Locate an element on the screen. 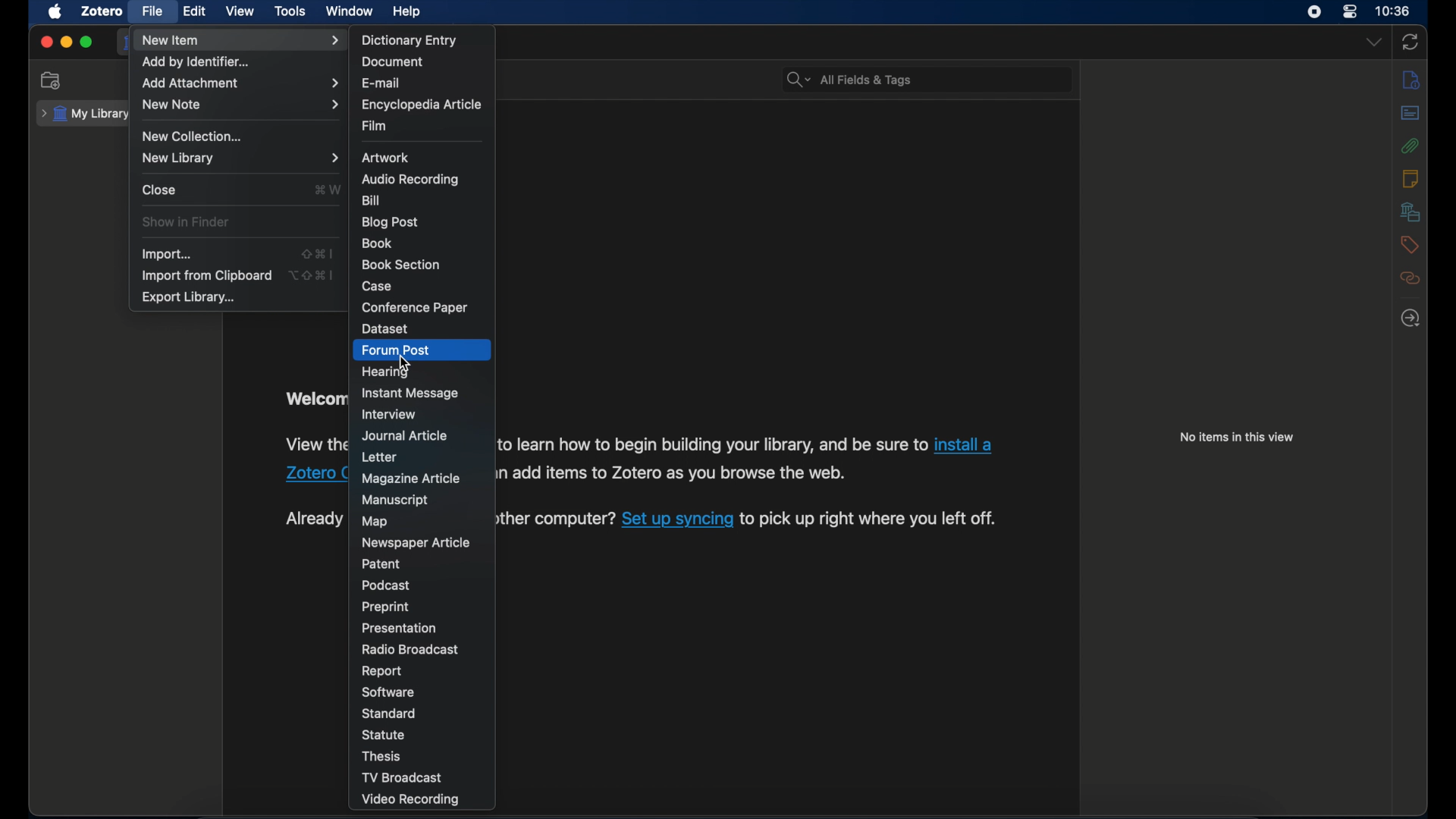  edit is located at coordinates (197, 11).